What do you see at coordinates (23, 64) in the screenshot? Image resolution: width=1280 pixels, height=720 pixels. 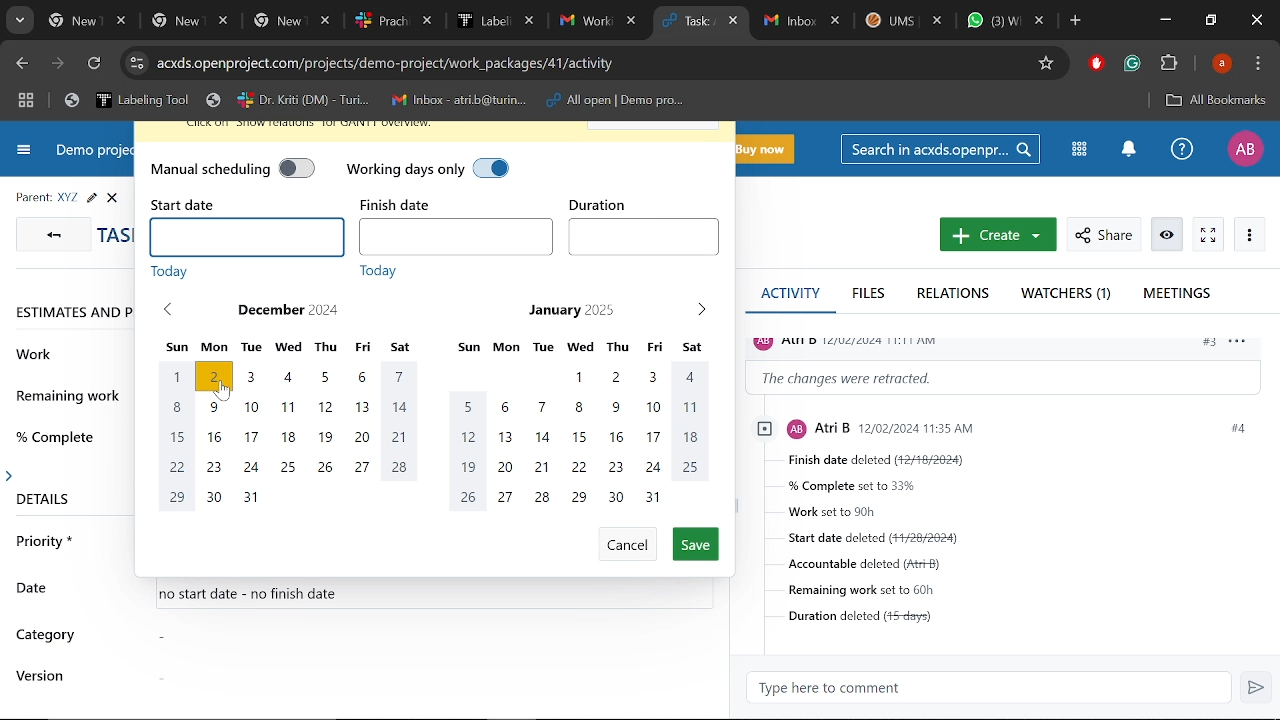 I see `Previous page` at bounding box center [23, 64].